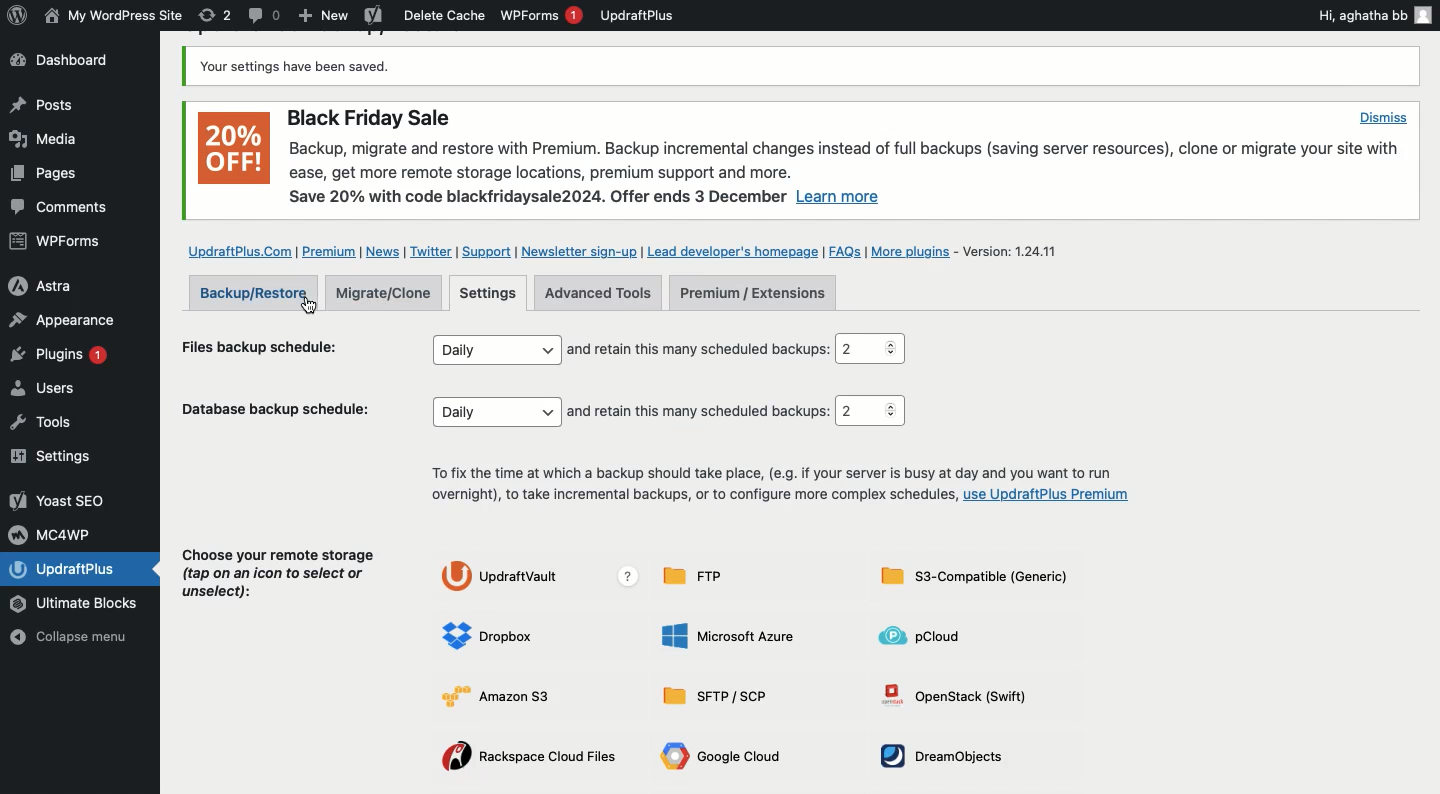 The width and height of the screenshot is (1440, 794). Describe the element at coordinates (497, 350) in the screenshot. I see `Daily` at that location.